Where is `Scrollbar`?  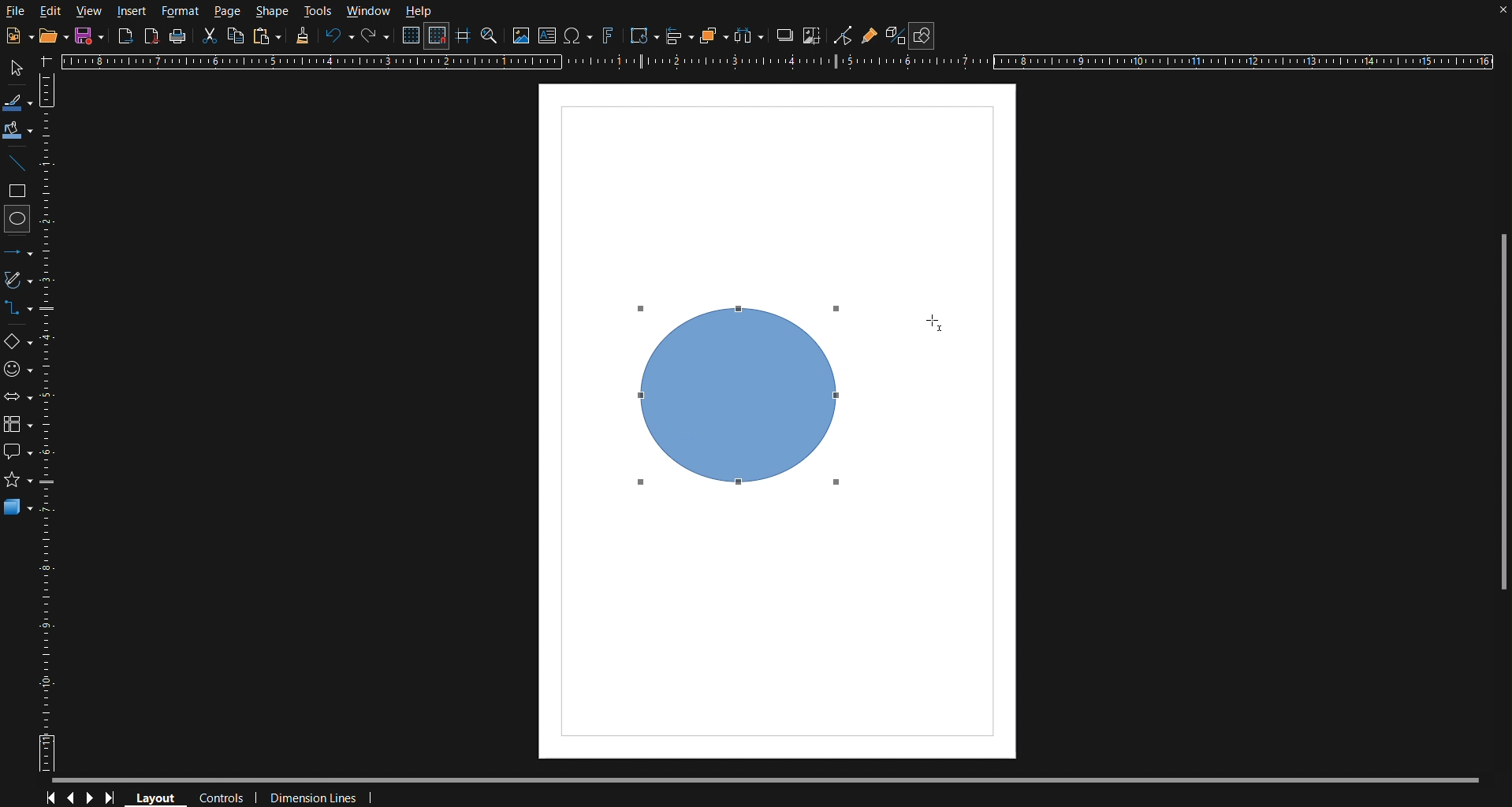
Scrollbar is located at coordinates (778, 775).